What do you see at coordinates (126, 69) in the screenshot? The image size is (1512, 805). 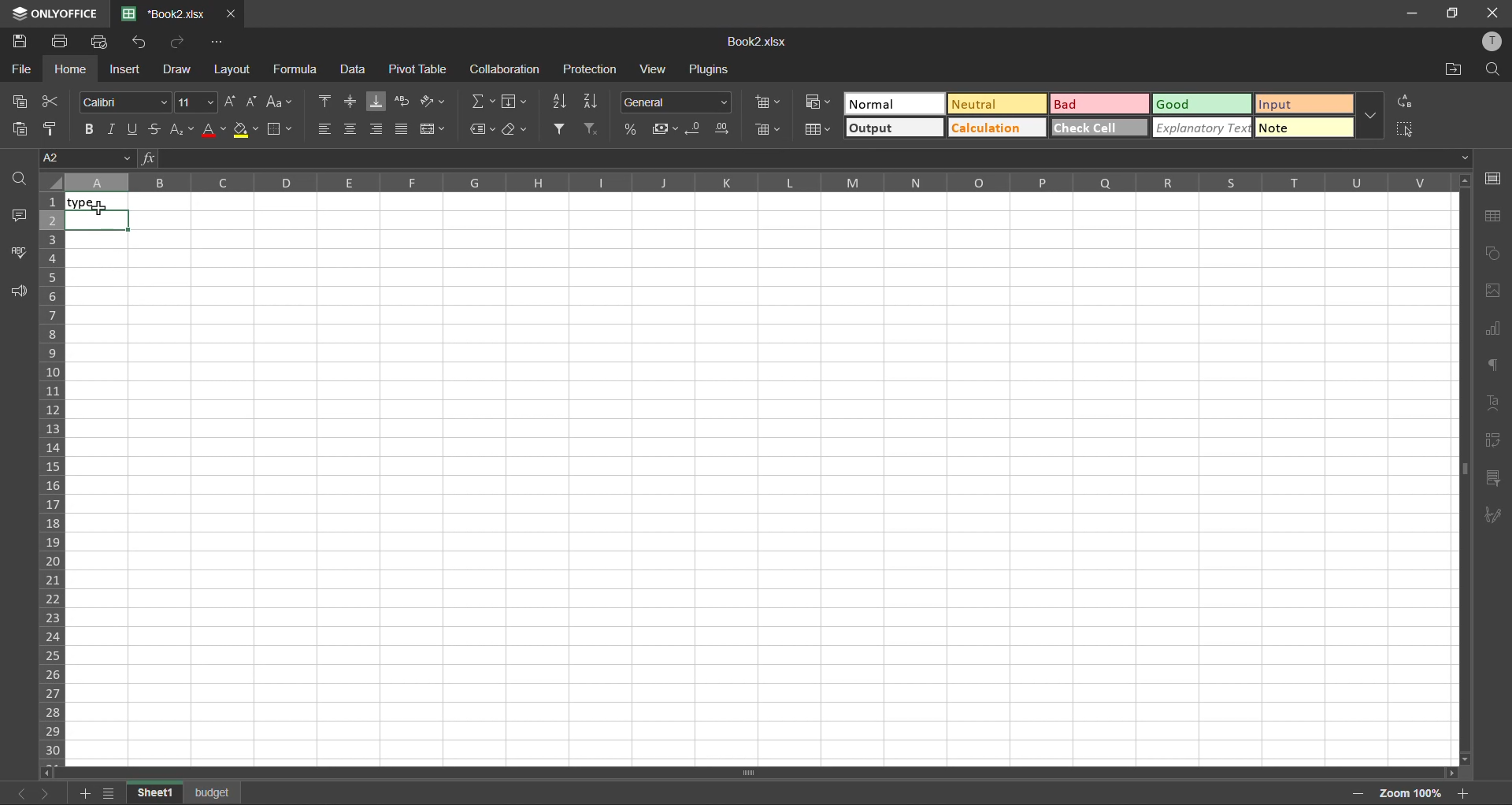 I see `insert` at bounding box center [126, 69].